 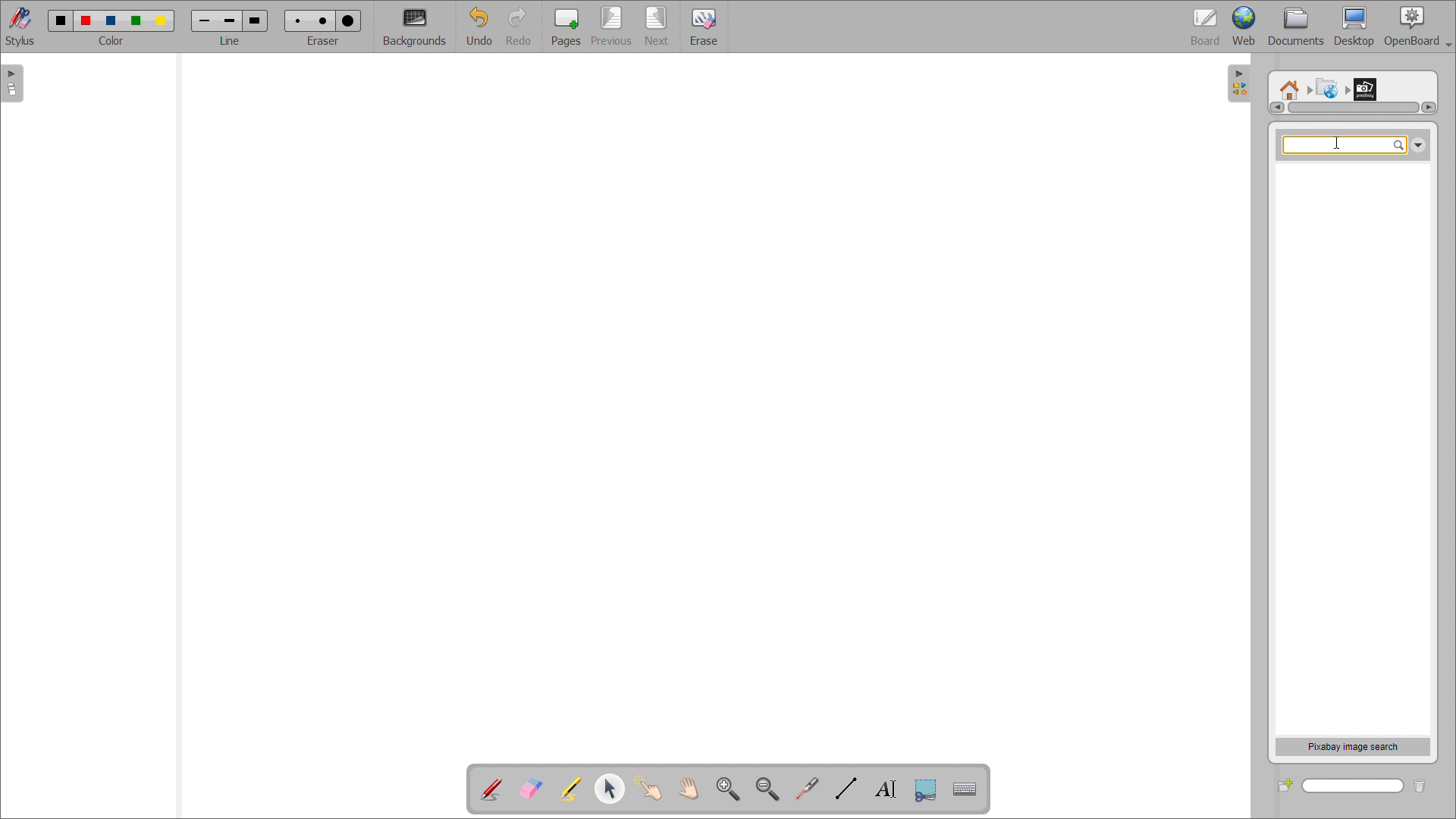 What do you see at coordinates (1297, 27) in the screenshot?
I see `documents` at bounding box center [1297, 27].